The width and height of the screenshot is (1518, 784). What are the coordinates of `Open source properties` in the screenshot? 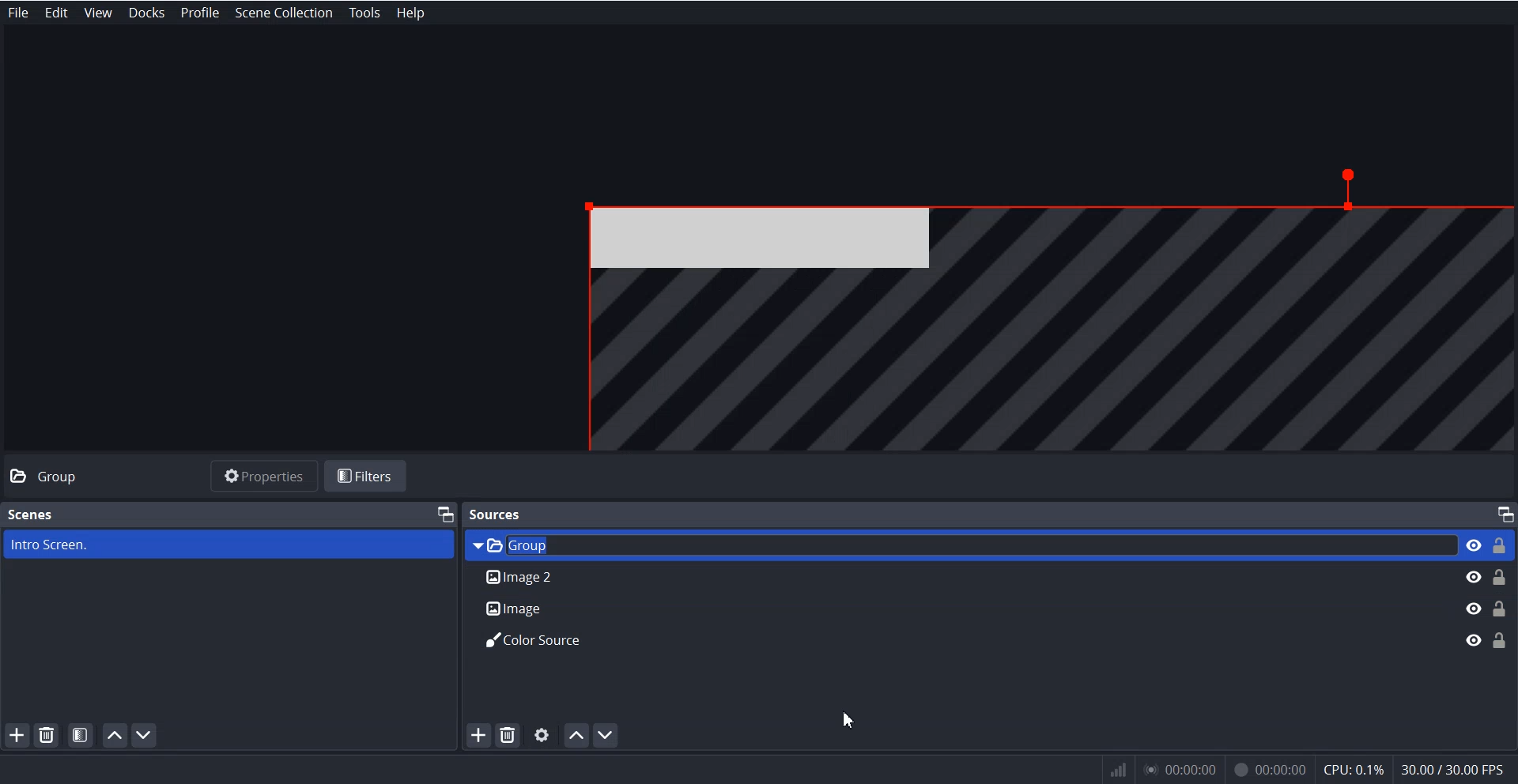 It's located at (542, 735).